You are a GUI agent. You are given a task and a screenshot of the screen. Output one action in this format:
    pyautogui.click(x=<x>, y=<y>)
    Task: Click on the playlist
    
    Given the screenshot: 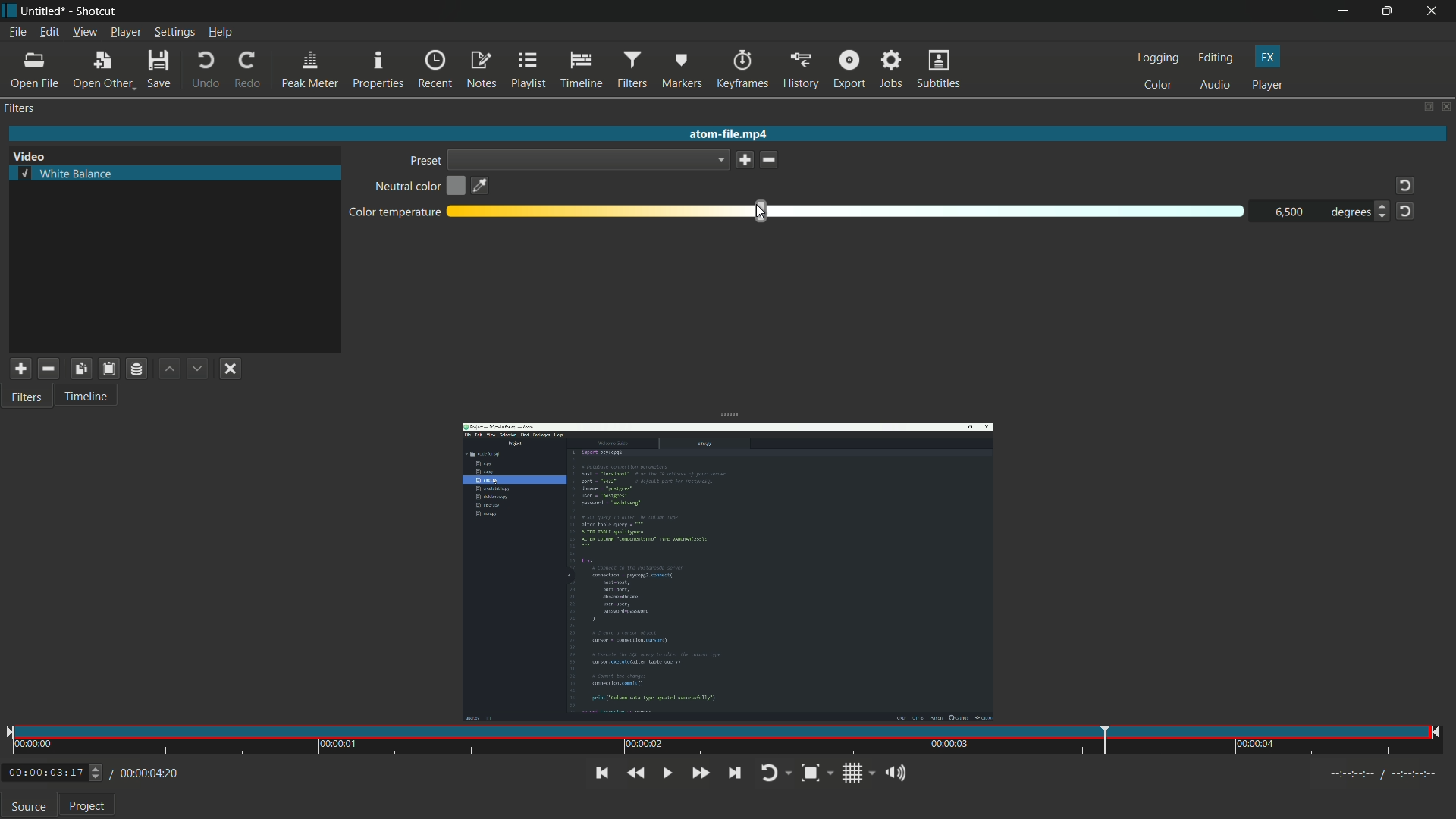 What is the action you would take?
    pyautogui.click(x=527, y=71)
    